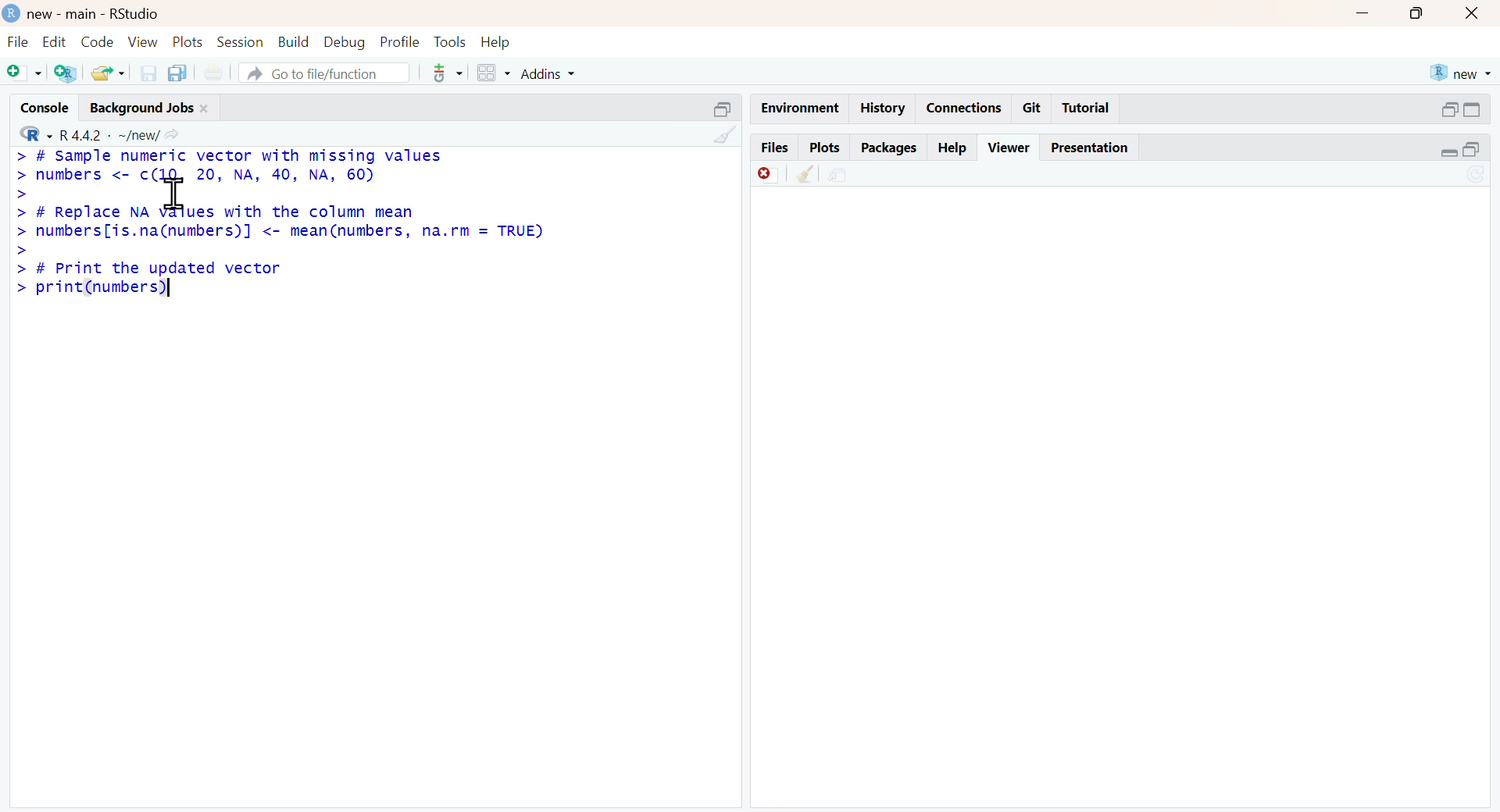 This screenshot has height=812, width=1500. I want to click on tools, so click(449, 73).